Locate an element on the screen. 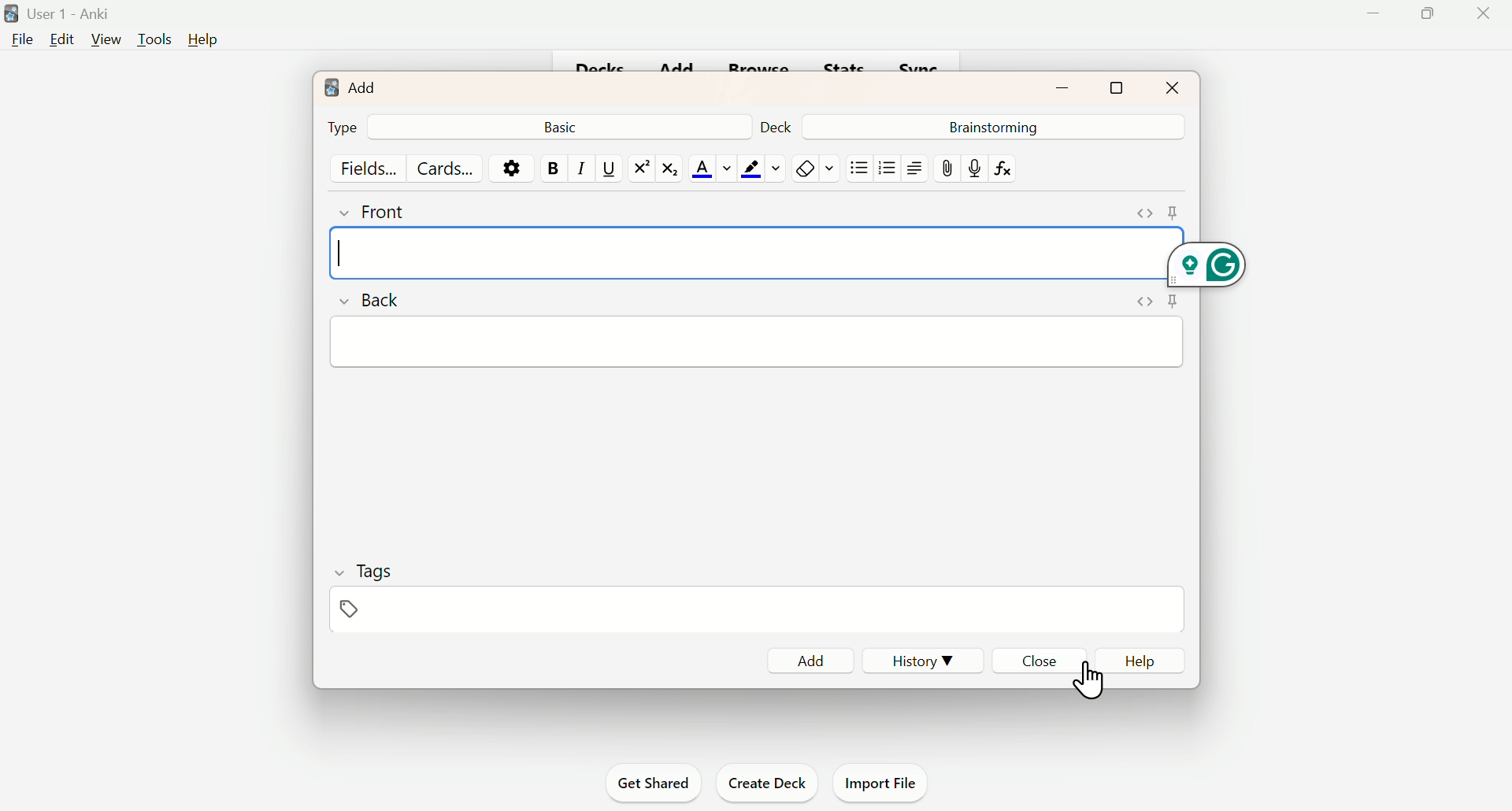 Image resolution: width=1512 pixels, height=811 pixels. cursor is located at coordinates (1086, 679).